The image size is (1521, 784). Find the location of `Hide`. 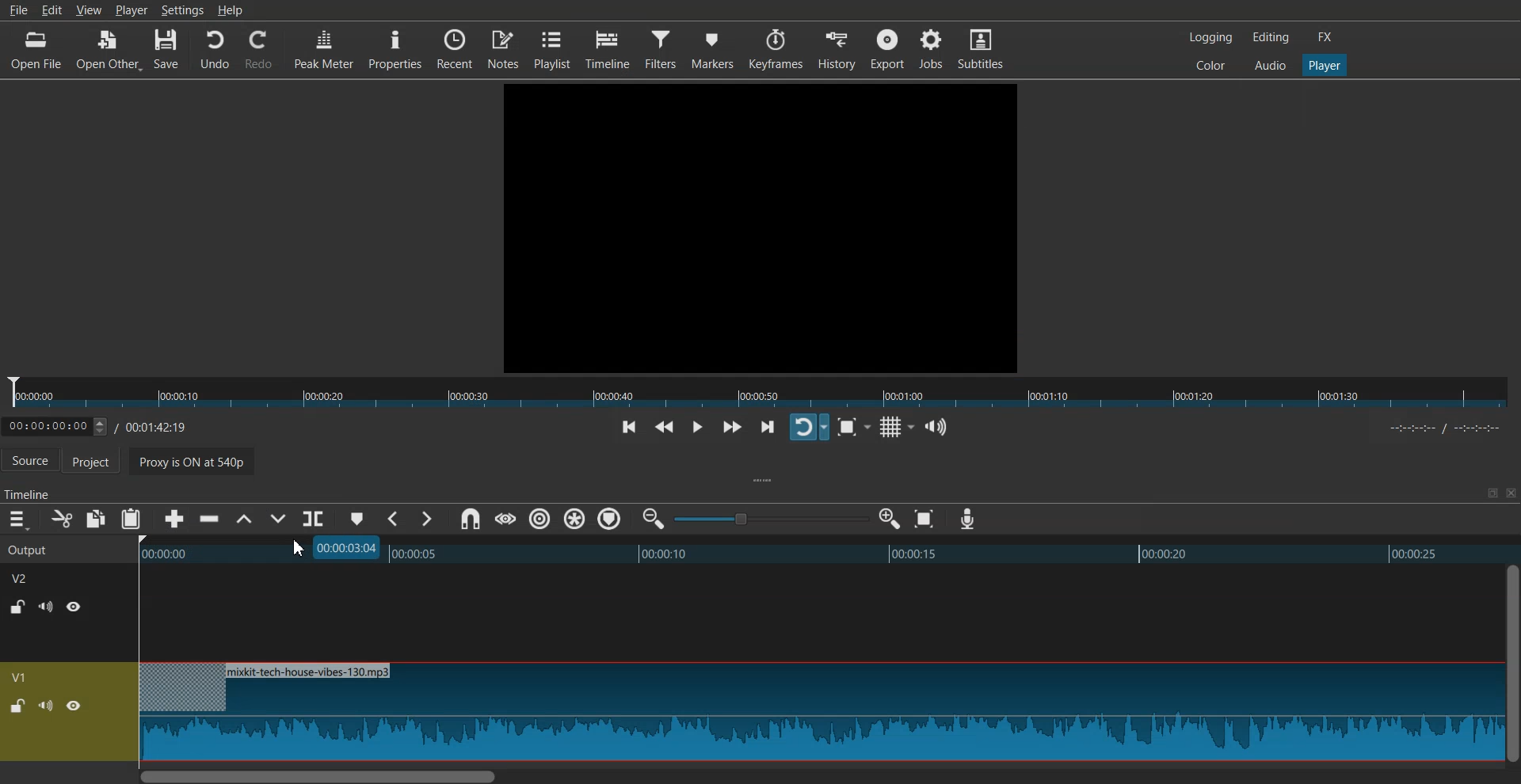

Hide is located at coordinates (74, 706).